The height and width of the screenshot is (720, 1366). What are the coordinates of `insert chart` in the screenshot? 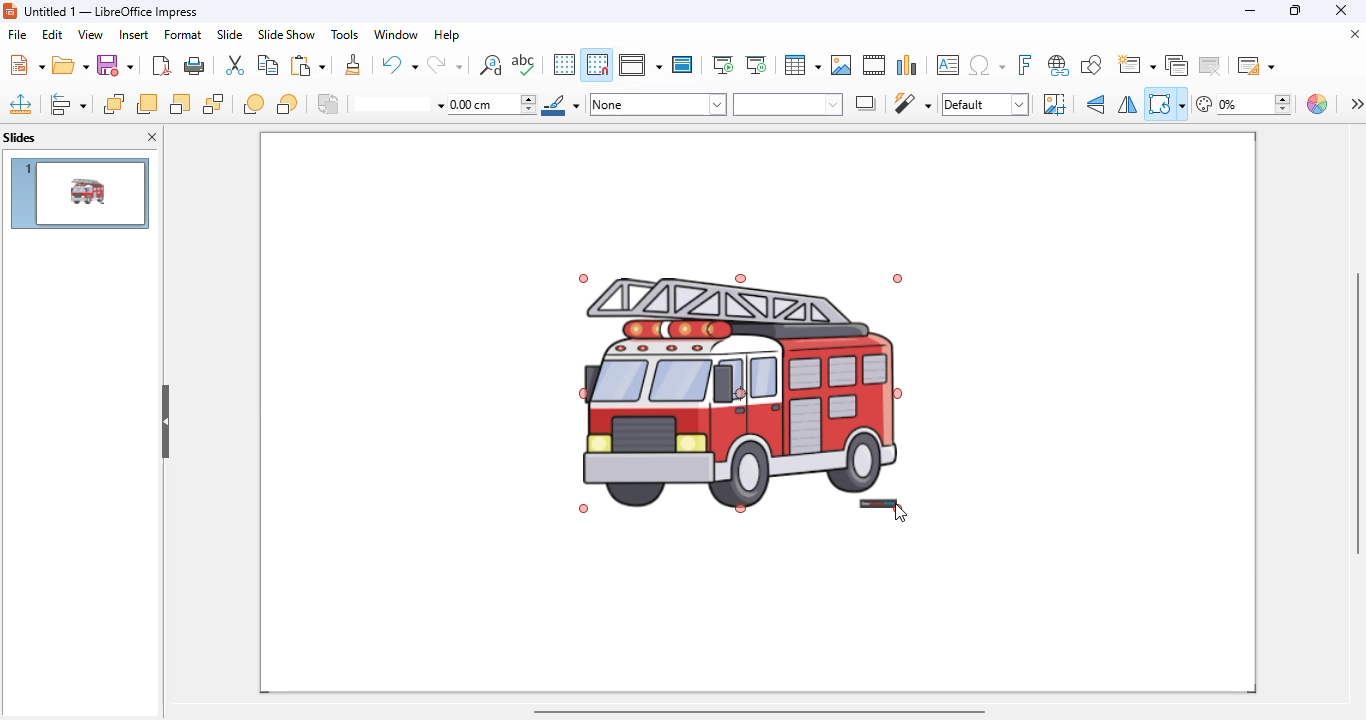 It's located at (908, 64).